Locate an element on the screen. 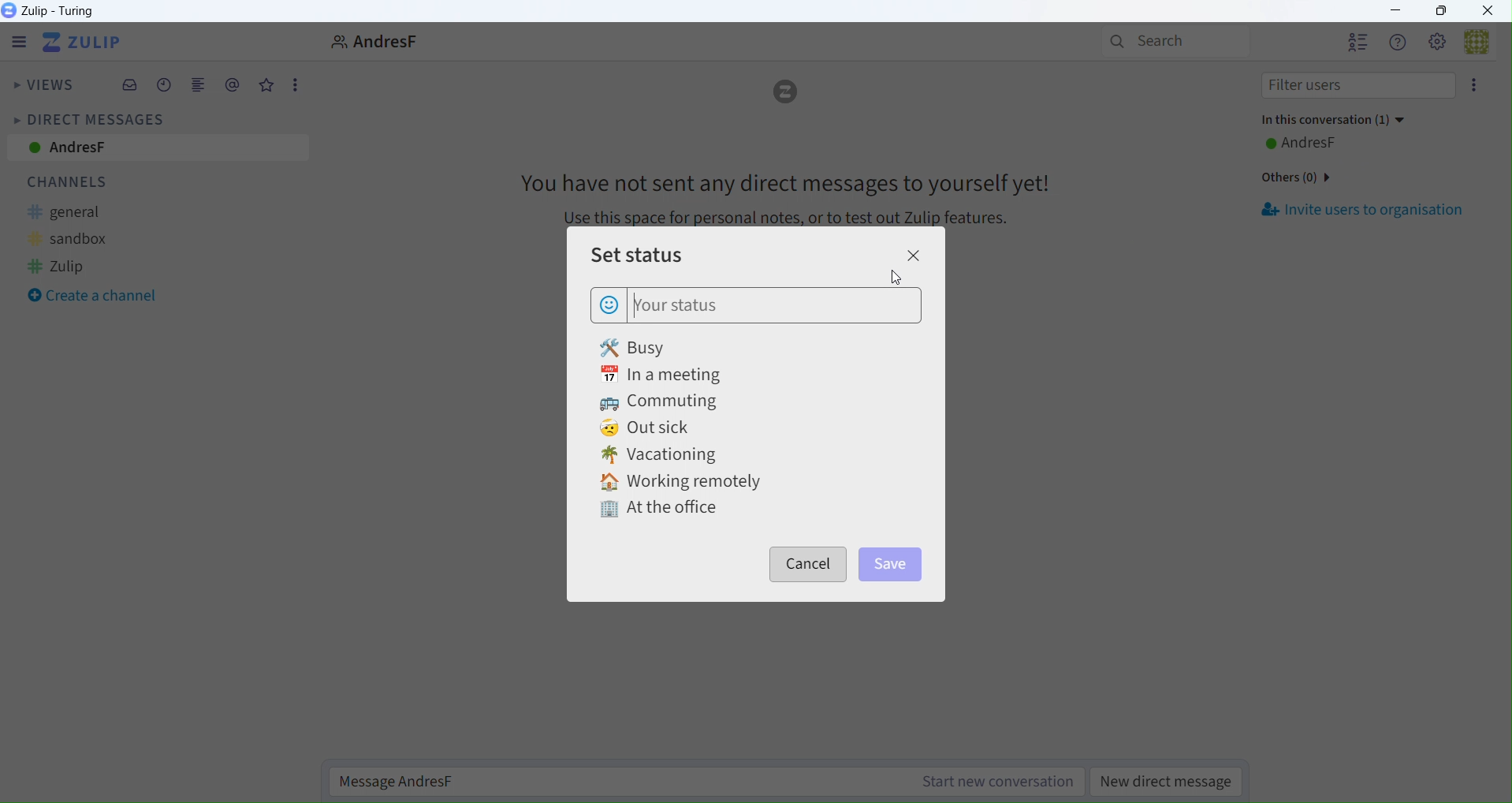 Image resolution: width=1512 pixels, height=803 pixels. New Direct Message is located at coordinates (1170, 782).